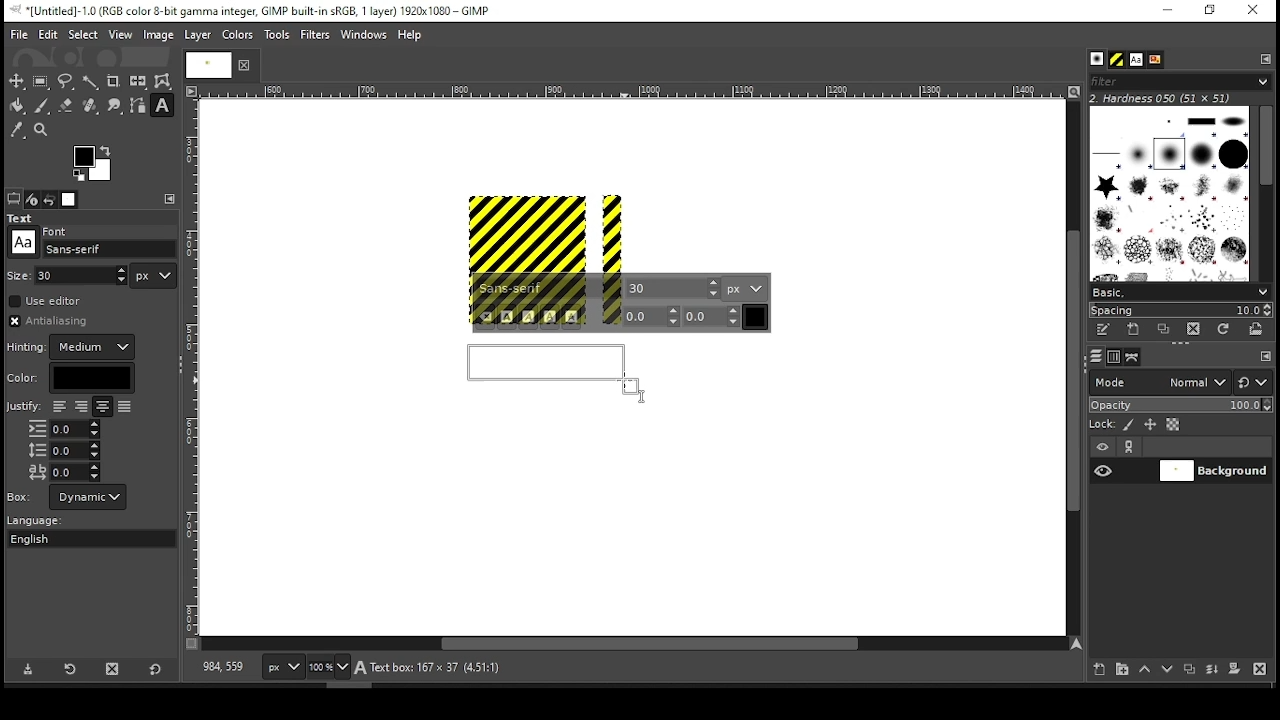 This screenshot has width=1280, height=720. What do you see at coordinates (635, 387) in the screenshot?
I see `mouse pointer` at bounding box center [635, 387].